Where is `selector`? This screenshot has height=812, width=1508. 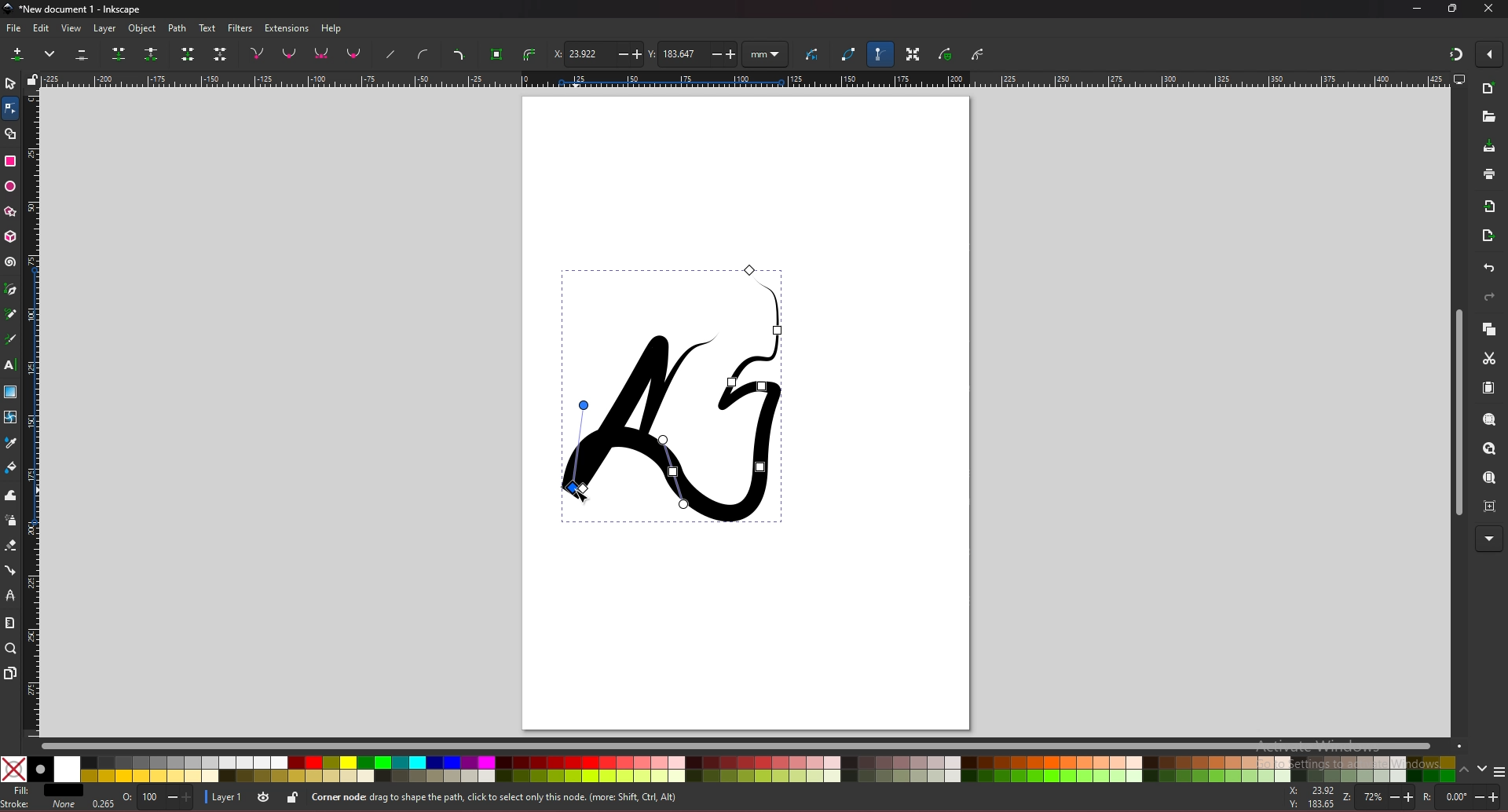
selector is located at coordinates (10, 83).